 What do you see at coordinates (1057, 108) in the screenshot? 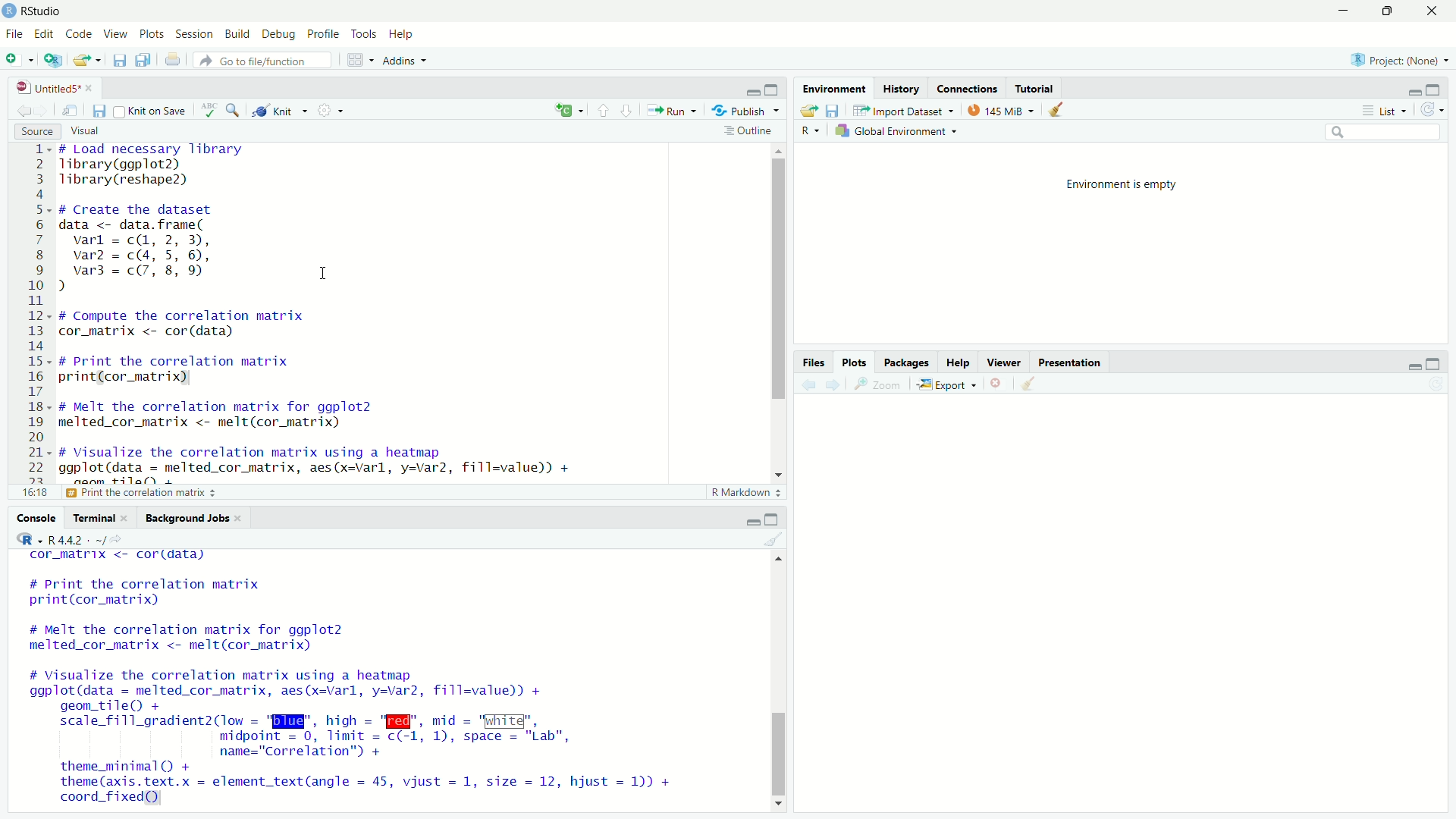
I see `clear objects` at bounding box center [1057, 108].